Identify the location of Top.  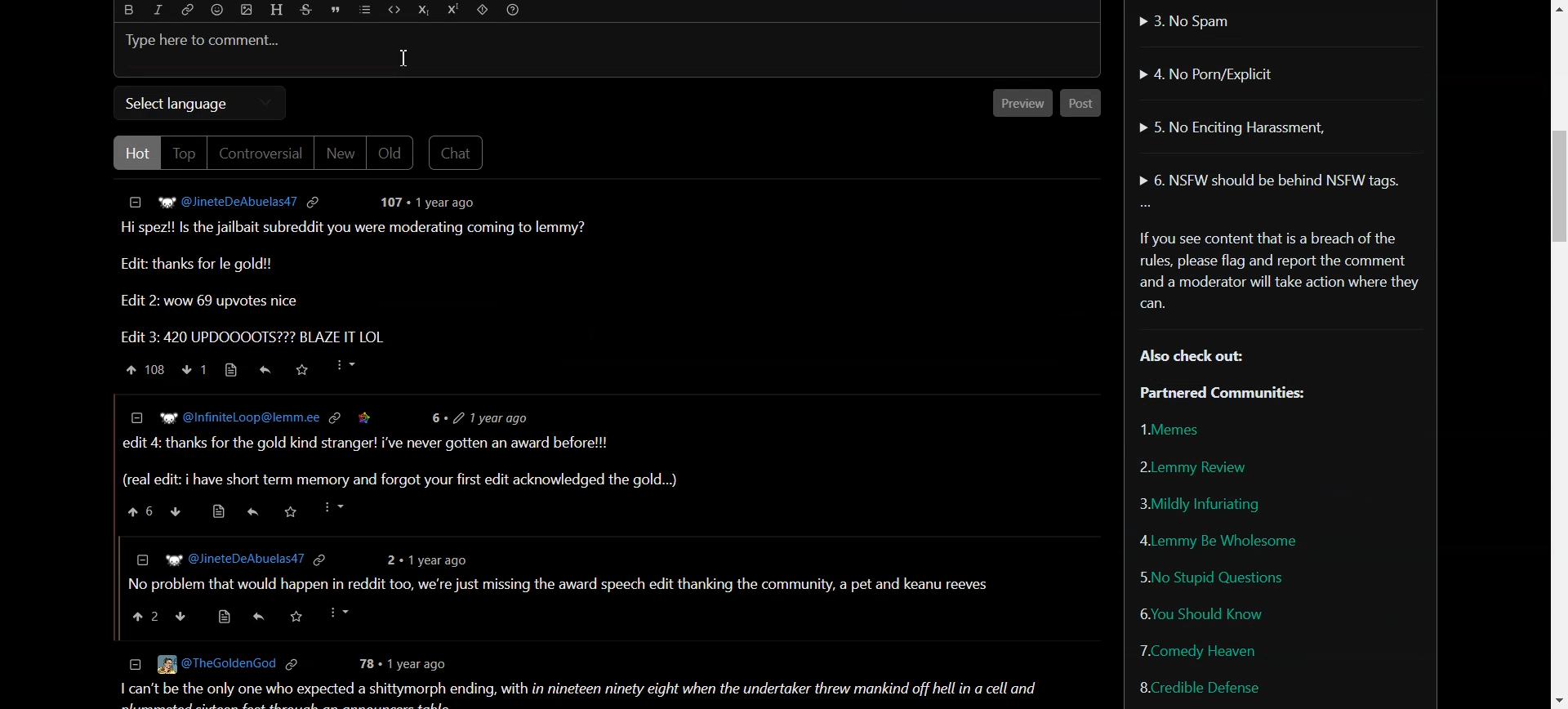
(184, 154).